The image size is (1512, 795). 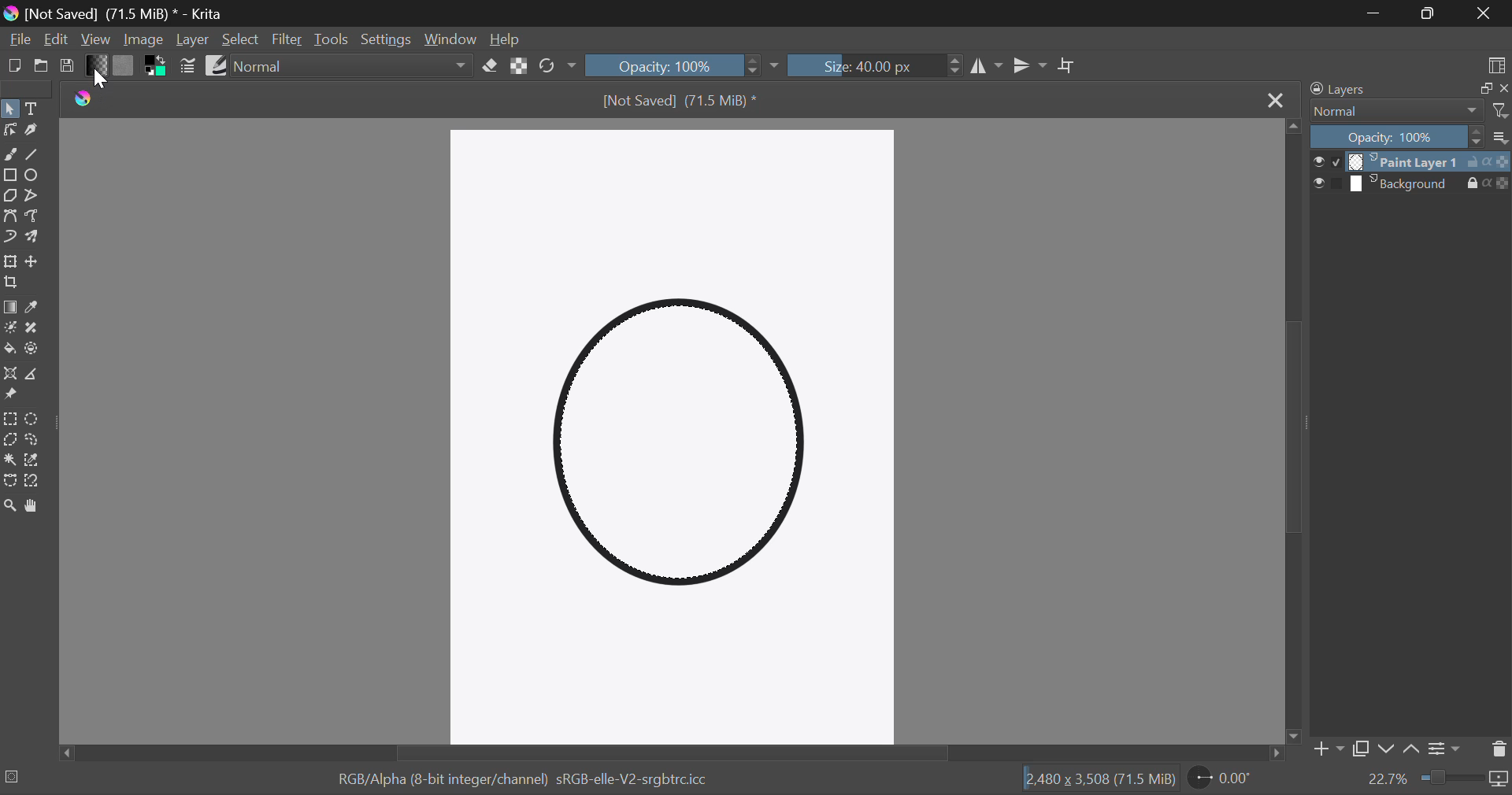 What do you see at coordinates (1488, 162) in the screenshot?
I see `actions` at bounding box center [1488, 162].